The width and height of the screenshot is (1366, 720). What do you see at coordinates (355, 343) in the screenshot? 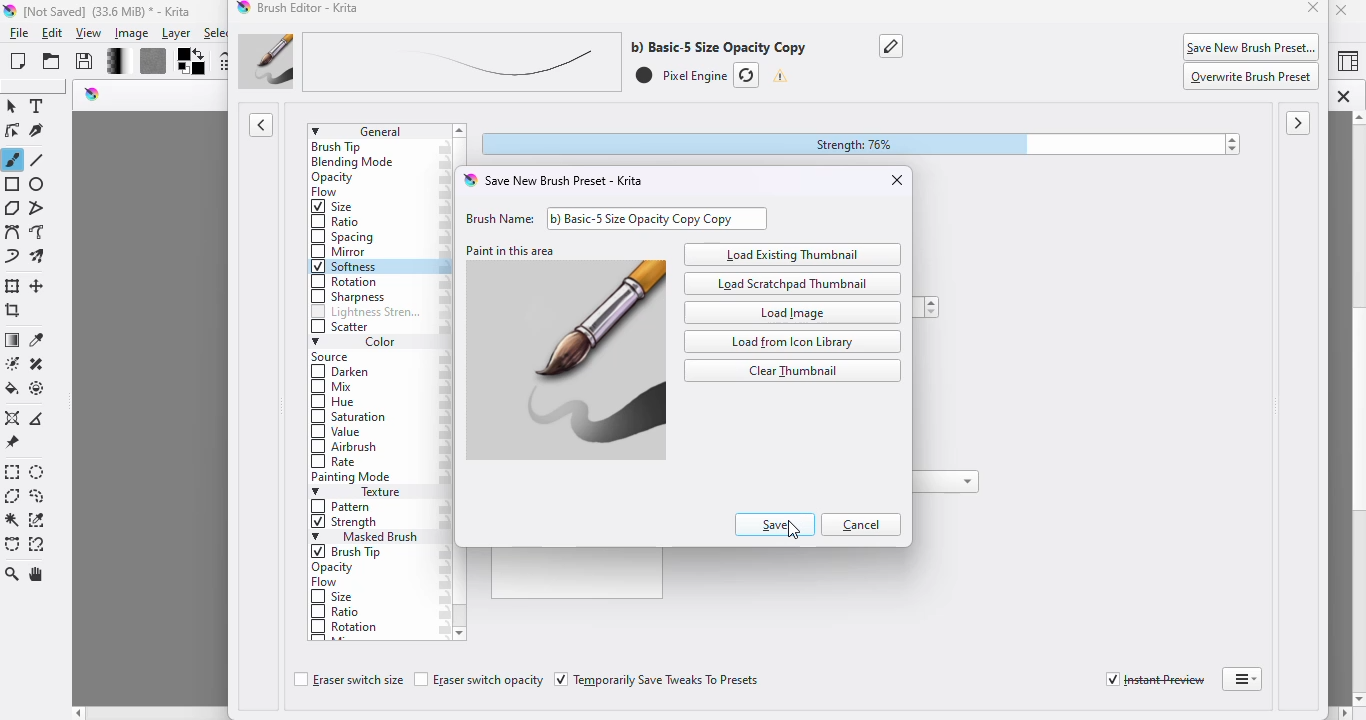
I see `color` at bounding box center [355, 343].